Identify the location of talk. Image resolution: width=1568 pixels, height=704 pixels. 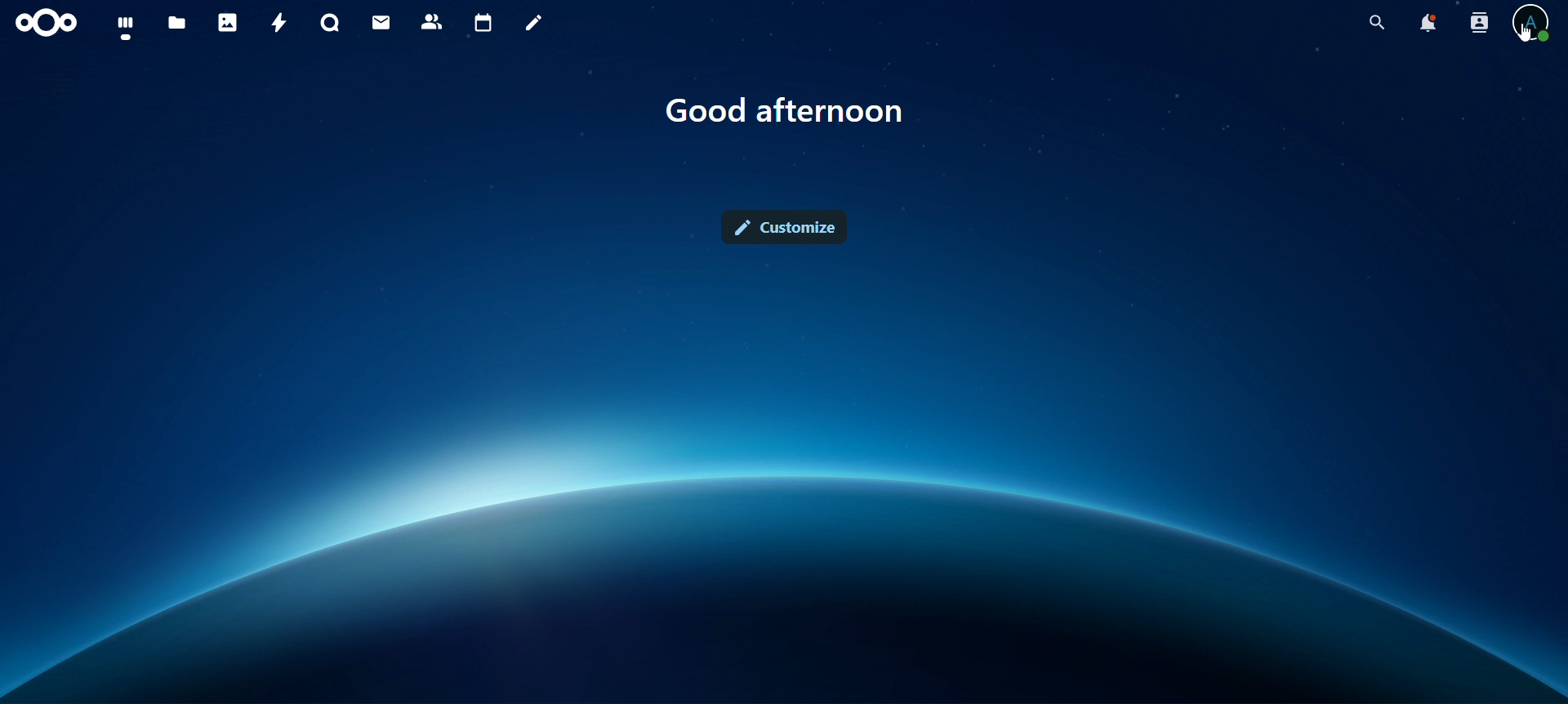
(332, 23).